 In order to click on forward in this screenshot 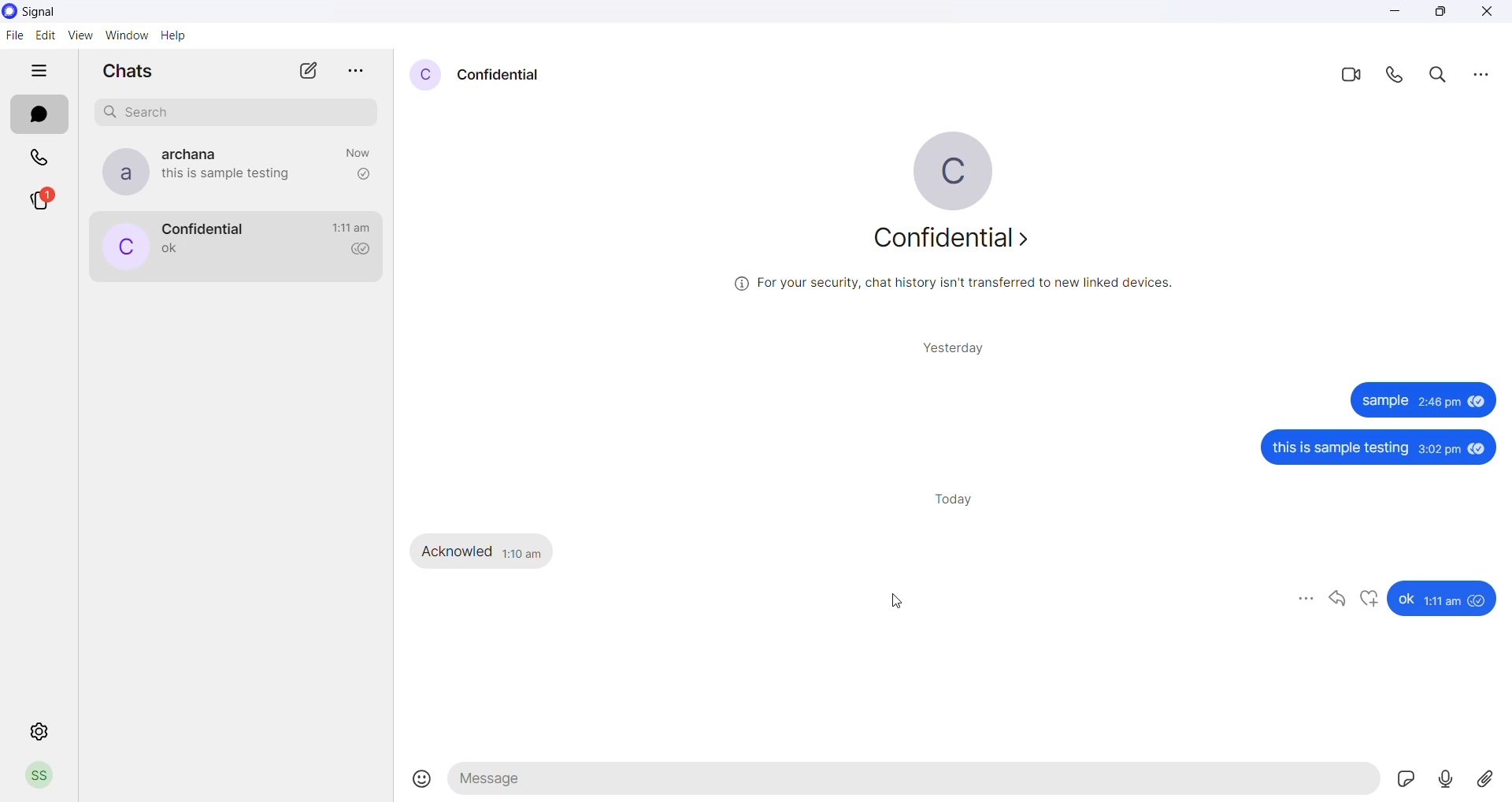, I will do `click(1338, 600)`.